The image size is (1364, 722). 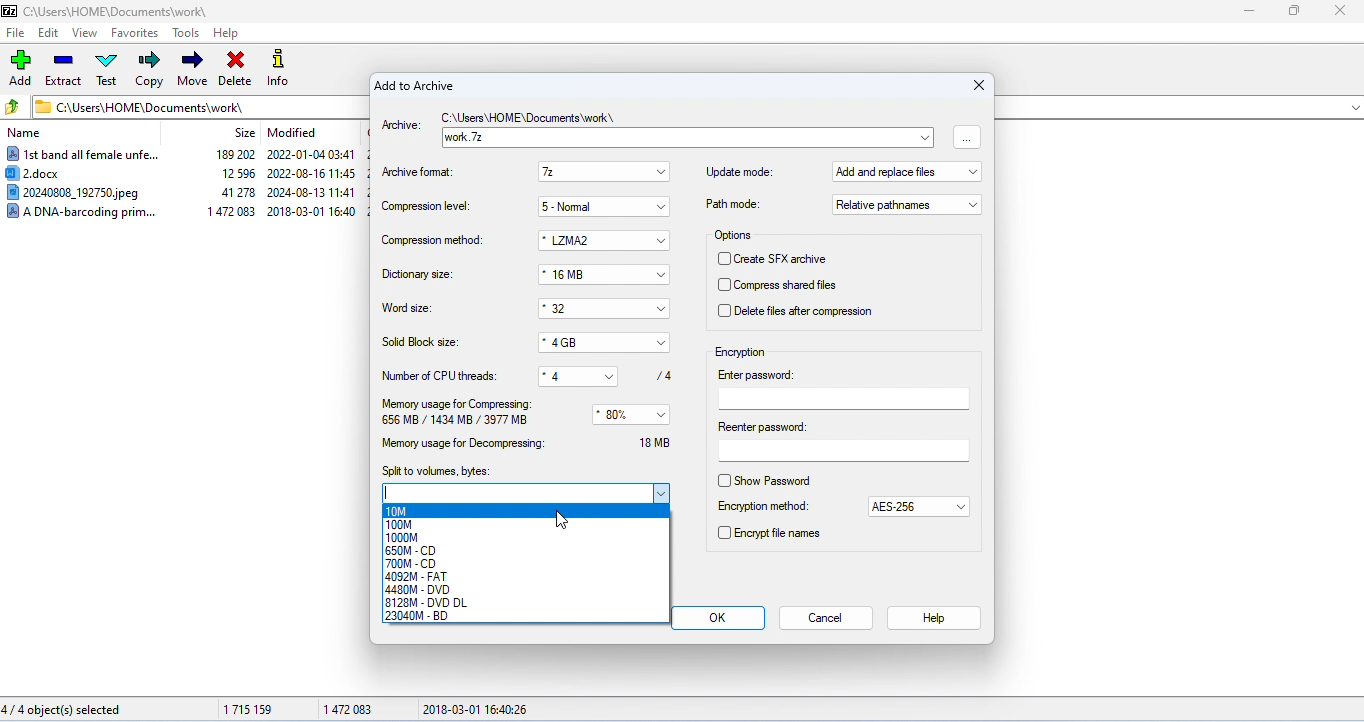 What do you see at coordinates (782, 480) in the screenshot?
I see `show password` at bounding box center [782, 480].